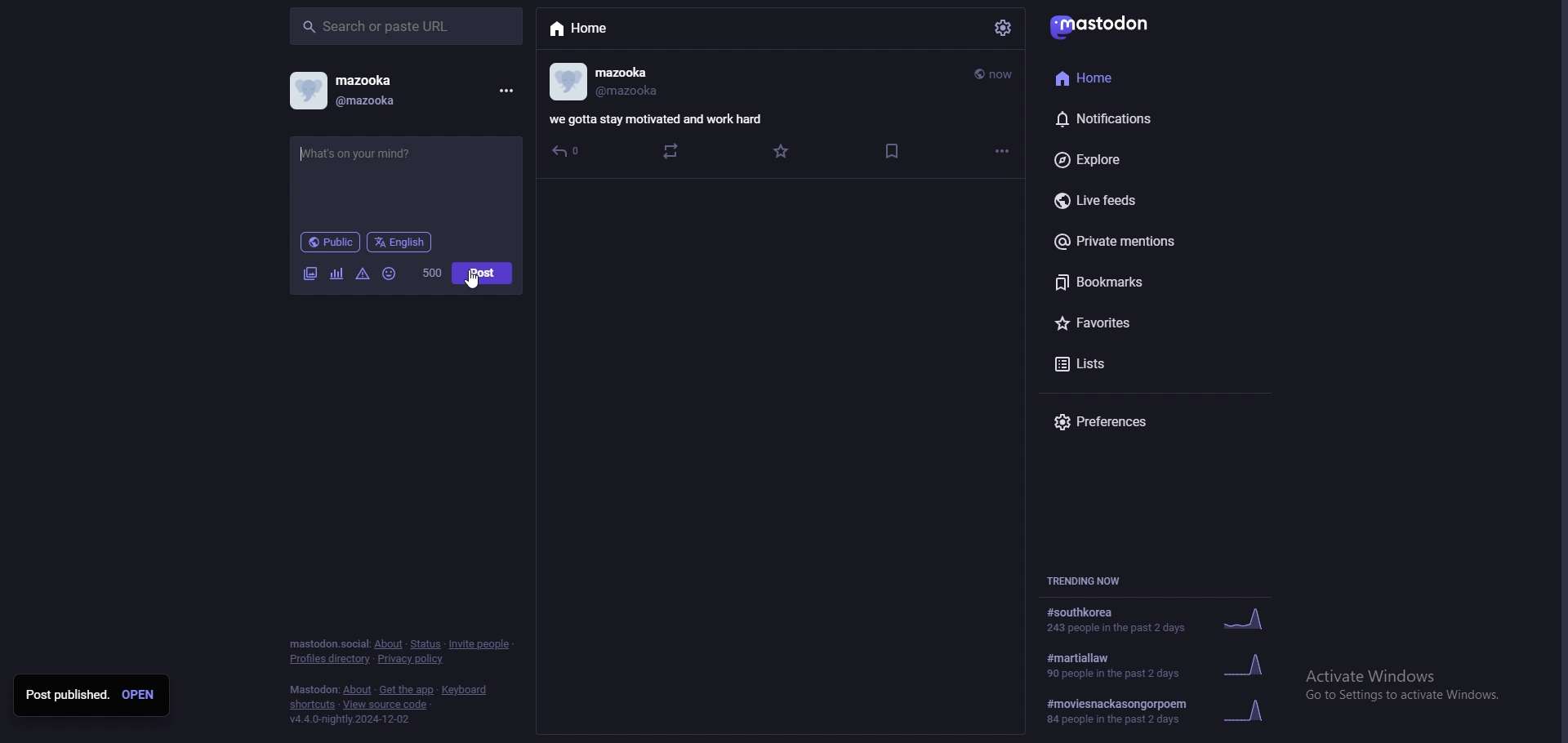 The image size is (1568, 743). What do you see at coordinates (353, 719) in the screenshot?
I see `version` at bounding box center [353, 719].